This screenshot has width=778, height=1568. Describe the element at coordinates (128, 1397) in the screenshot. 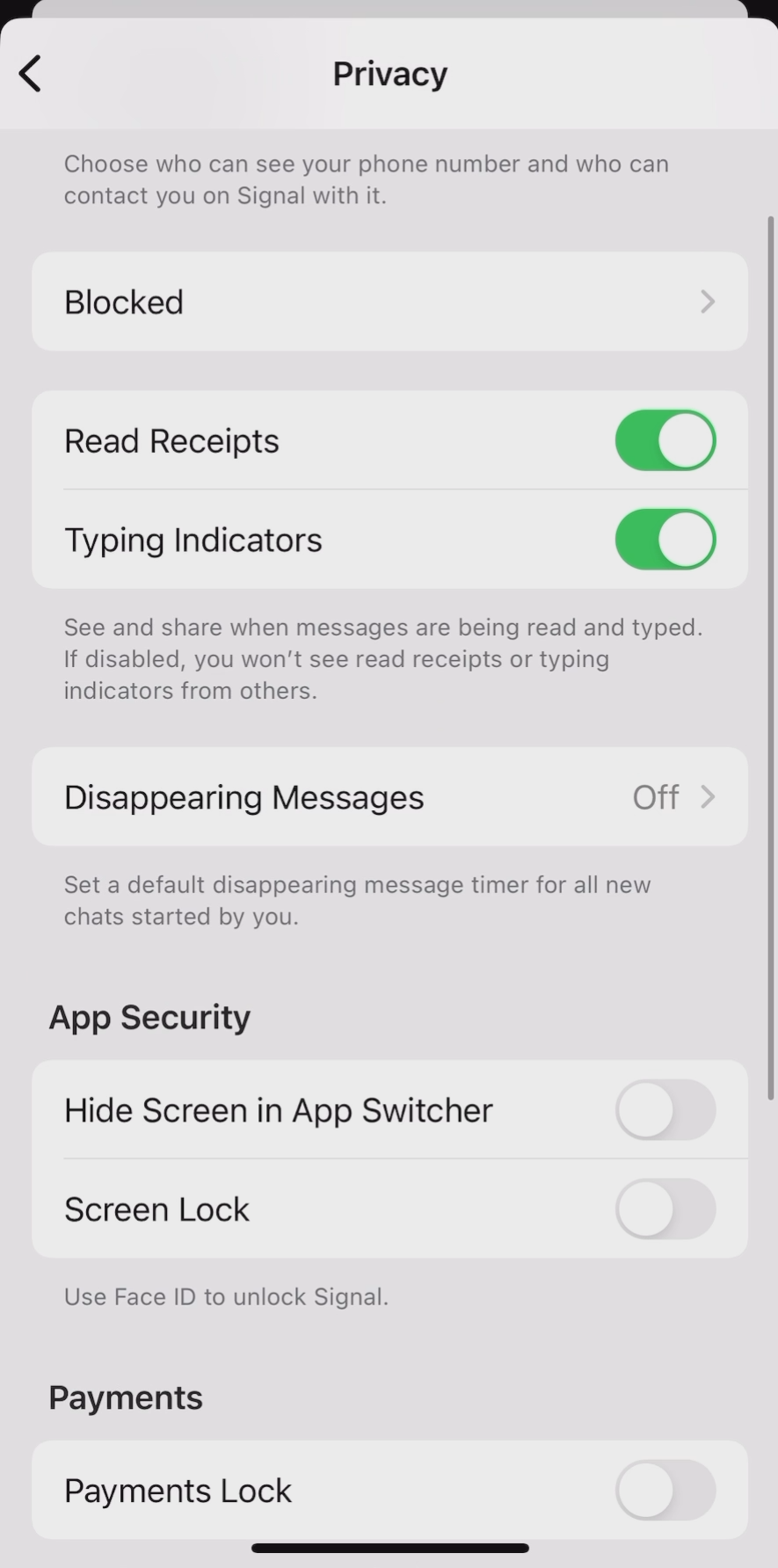

I see `payments` at that location.